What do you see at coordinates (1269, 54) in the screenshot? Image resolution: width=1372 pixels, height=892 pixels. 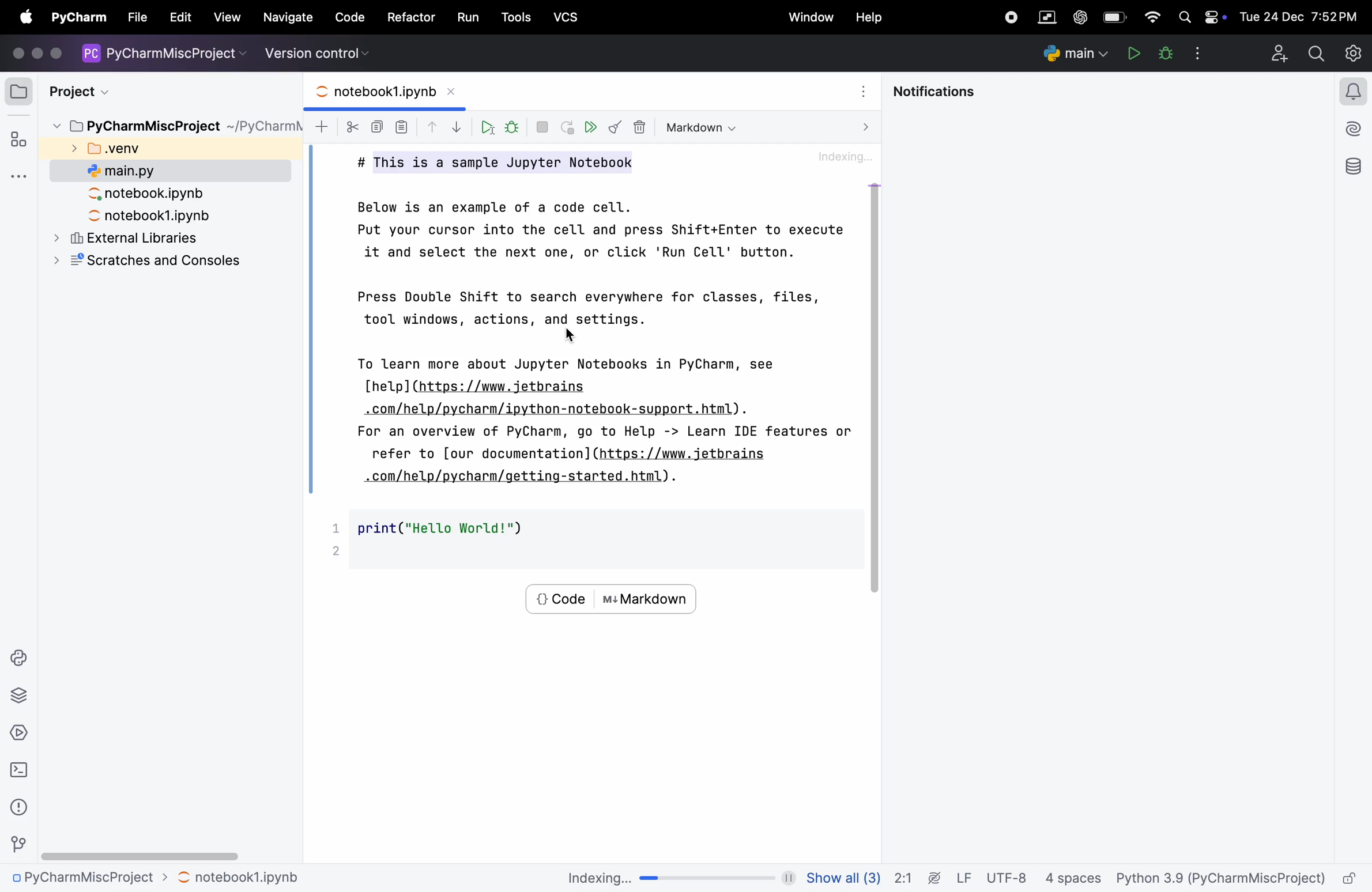 I see `add profile` at bounding box center [1269, 54].